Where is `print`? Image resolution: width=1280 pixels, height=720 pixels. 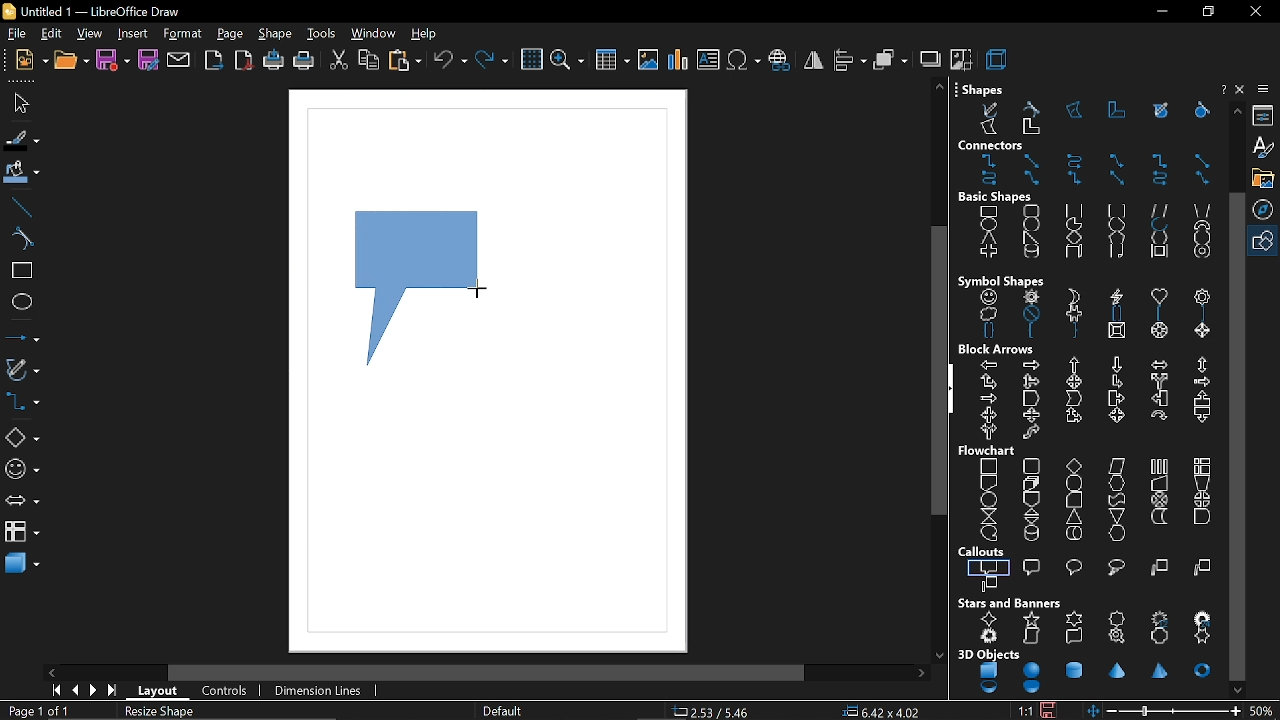
print is located at coordinates (305, 62).